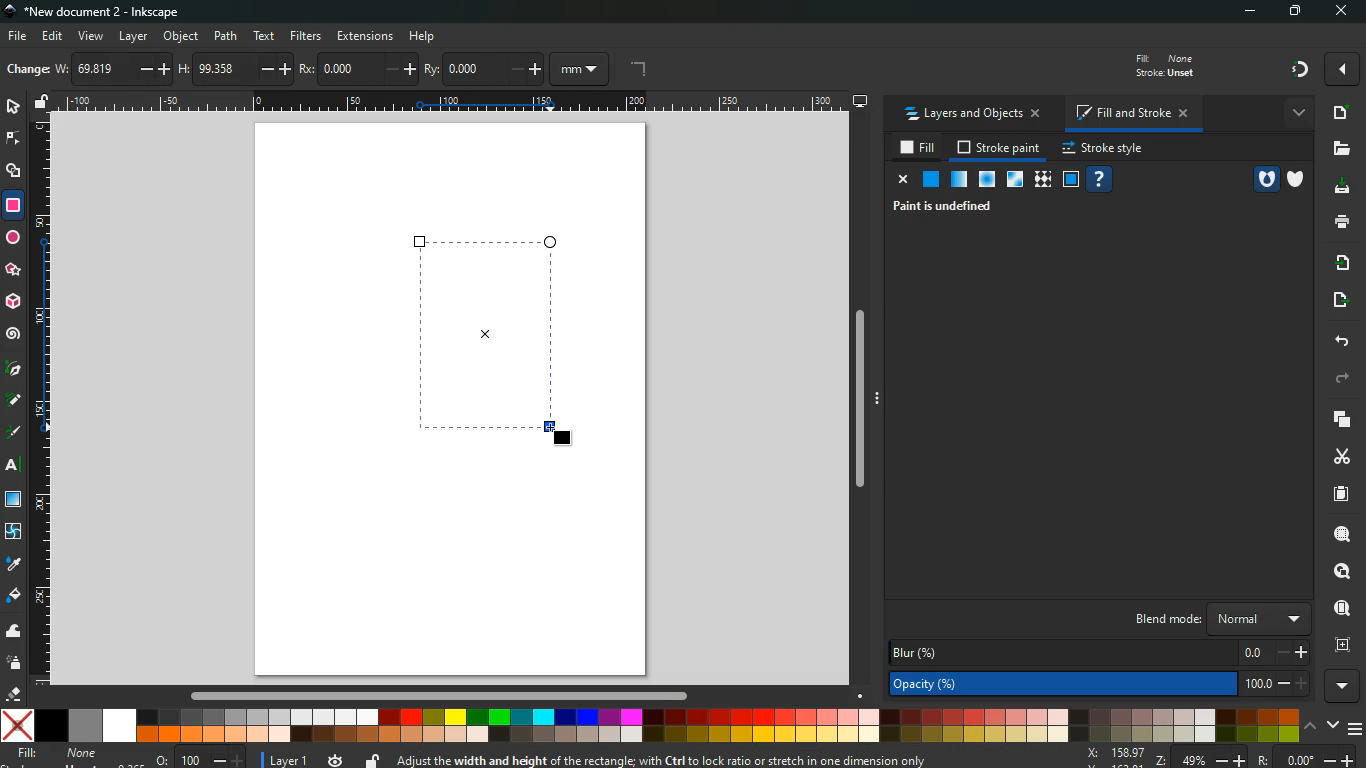  Describe the element at coordinates (217, 69) in the screenshot. I see `h` at that location.